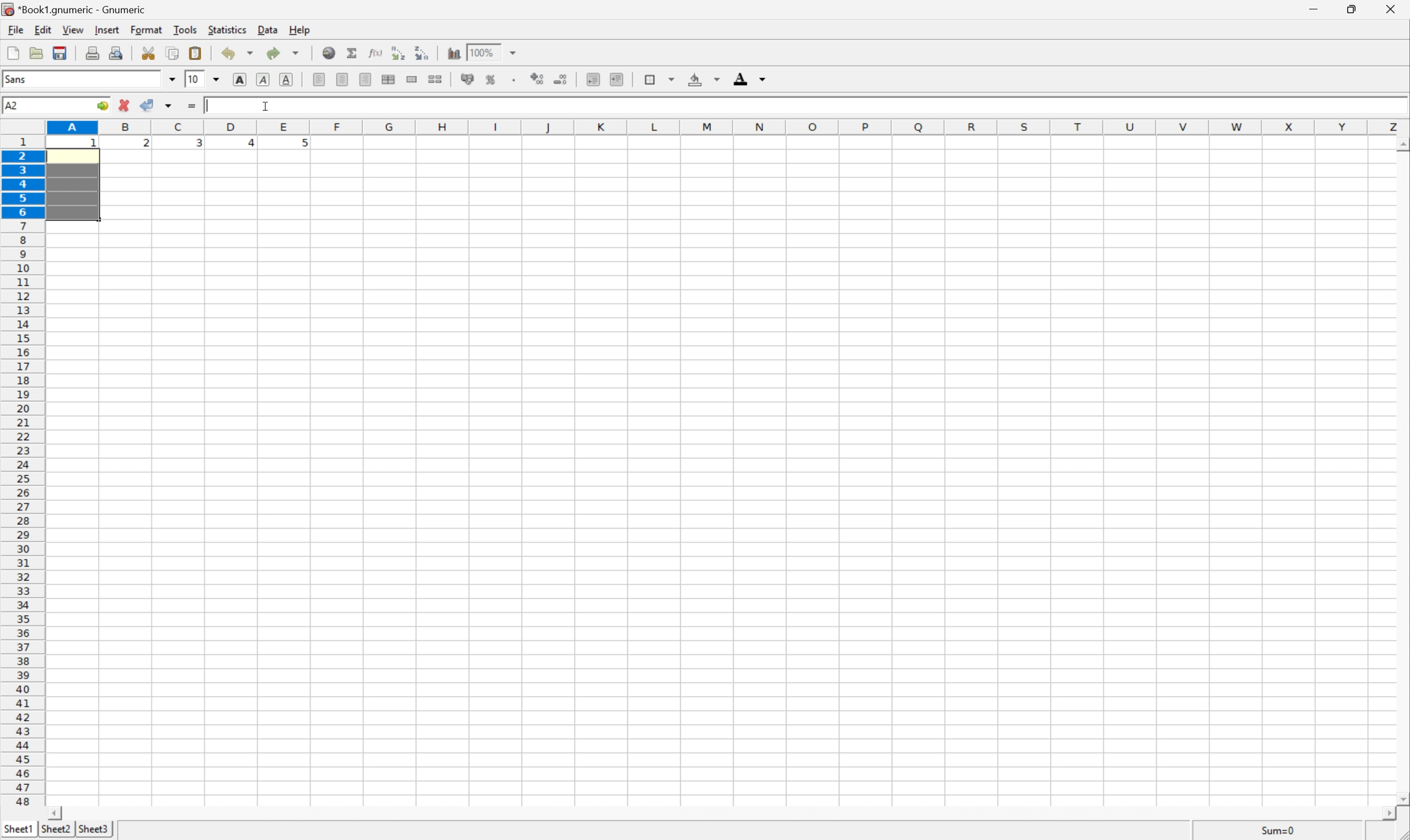 This screenshot has height=840, width=1410. I want to click on foreground, so click(752, 80).